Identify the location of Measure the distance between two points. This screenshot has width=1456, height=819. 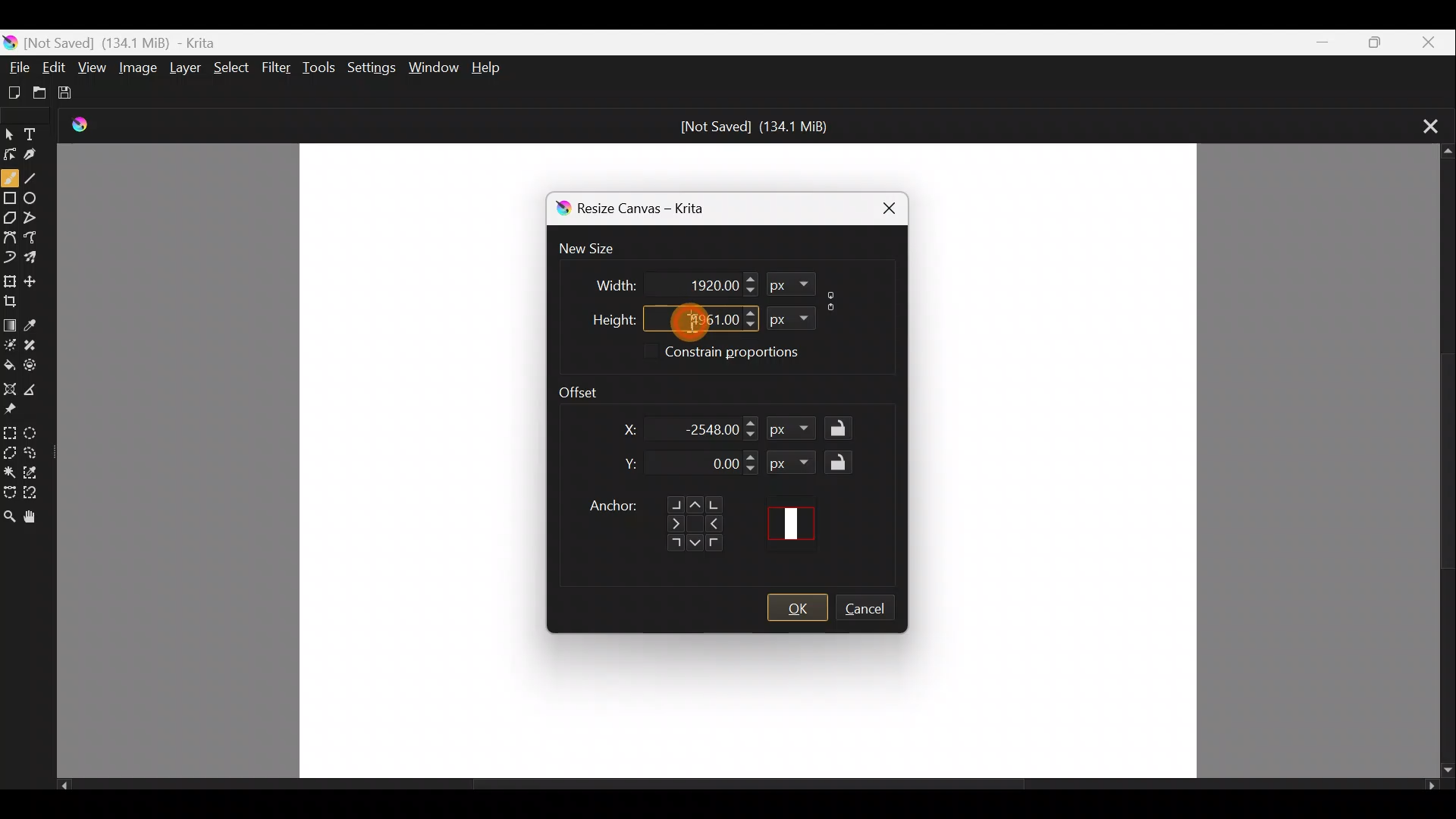
(35, 391).